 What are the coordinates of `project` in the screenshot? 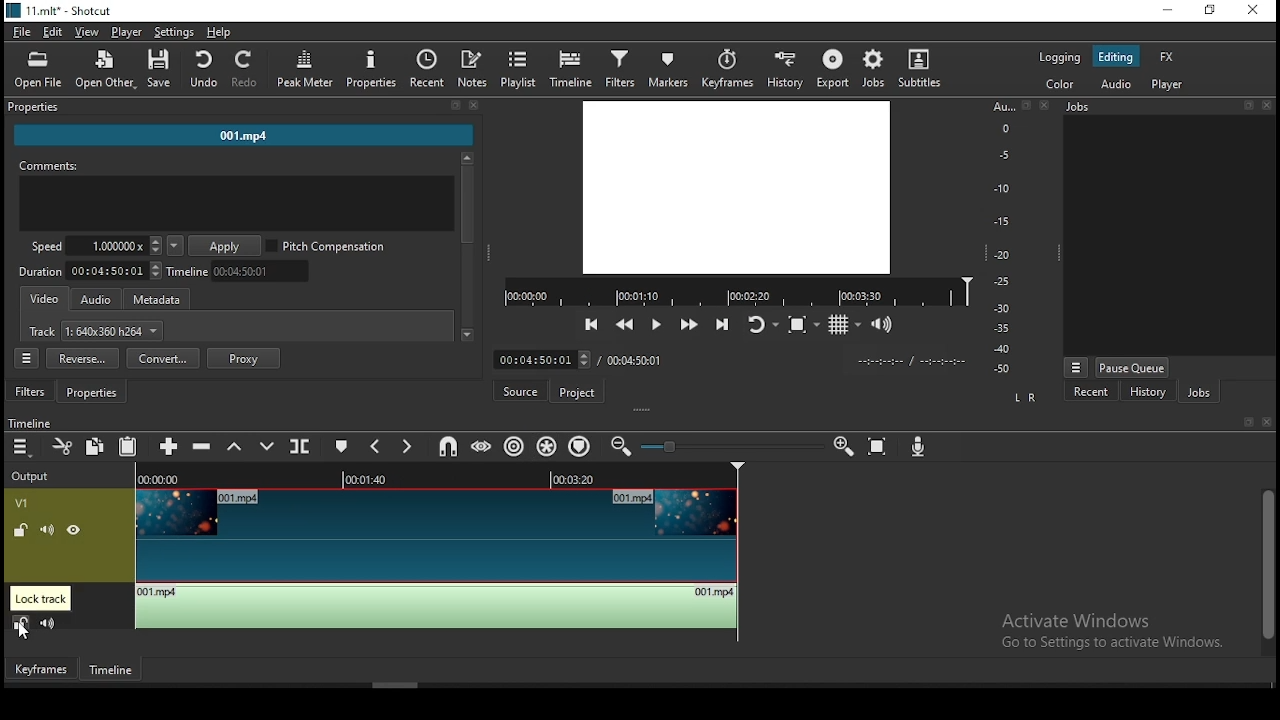 It's located at (579, 393).